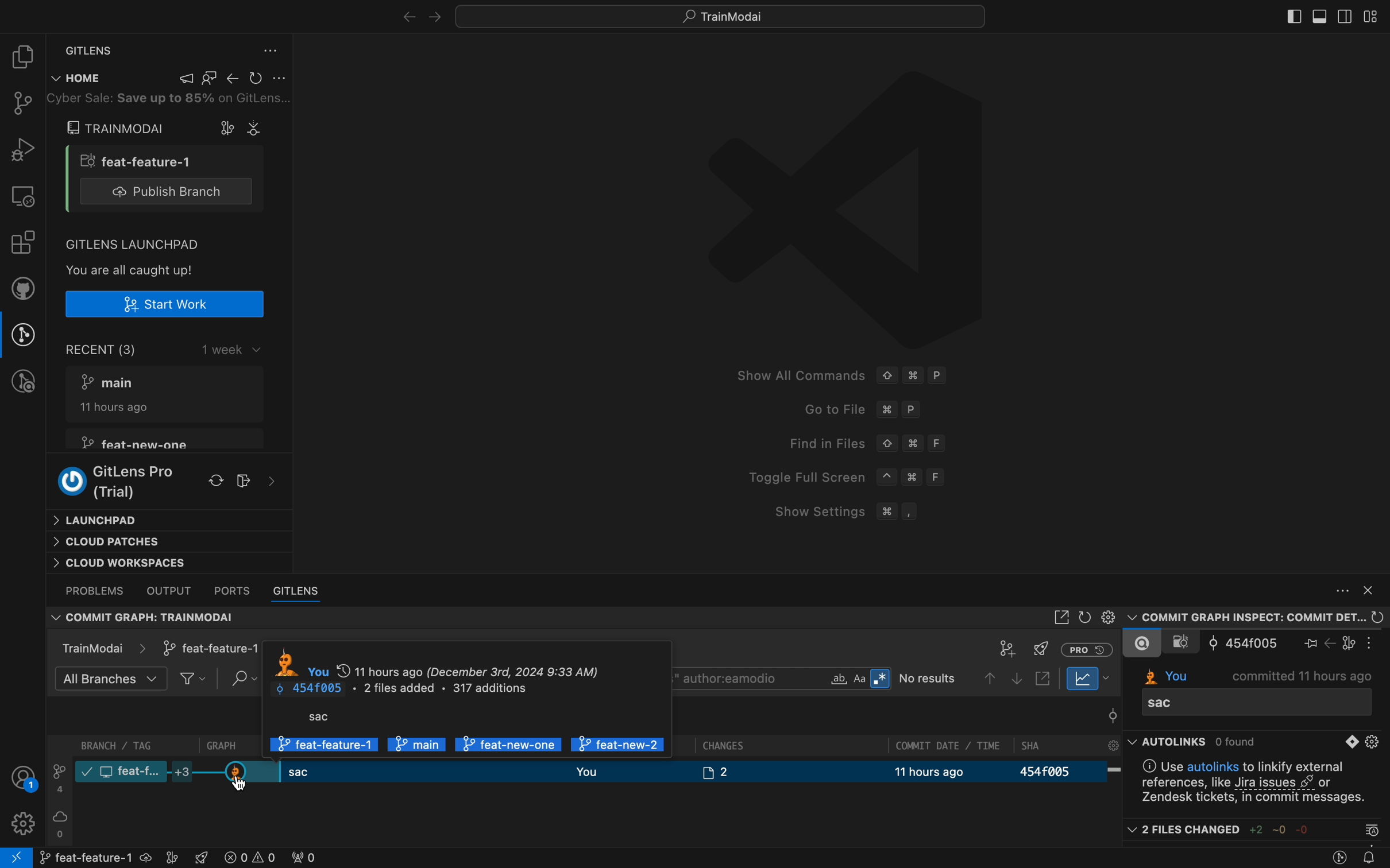  Describe the element at coordinates (846, 514) in the screenshot. I see `Show Settings # ,` at that location.